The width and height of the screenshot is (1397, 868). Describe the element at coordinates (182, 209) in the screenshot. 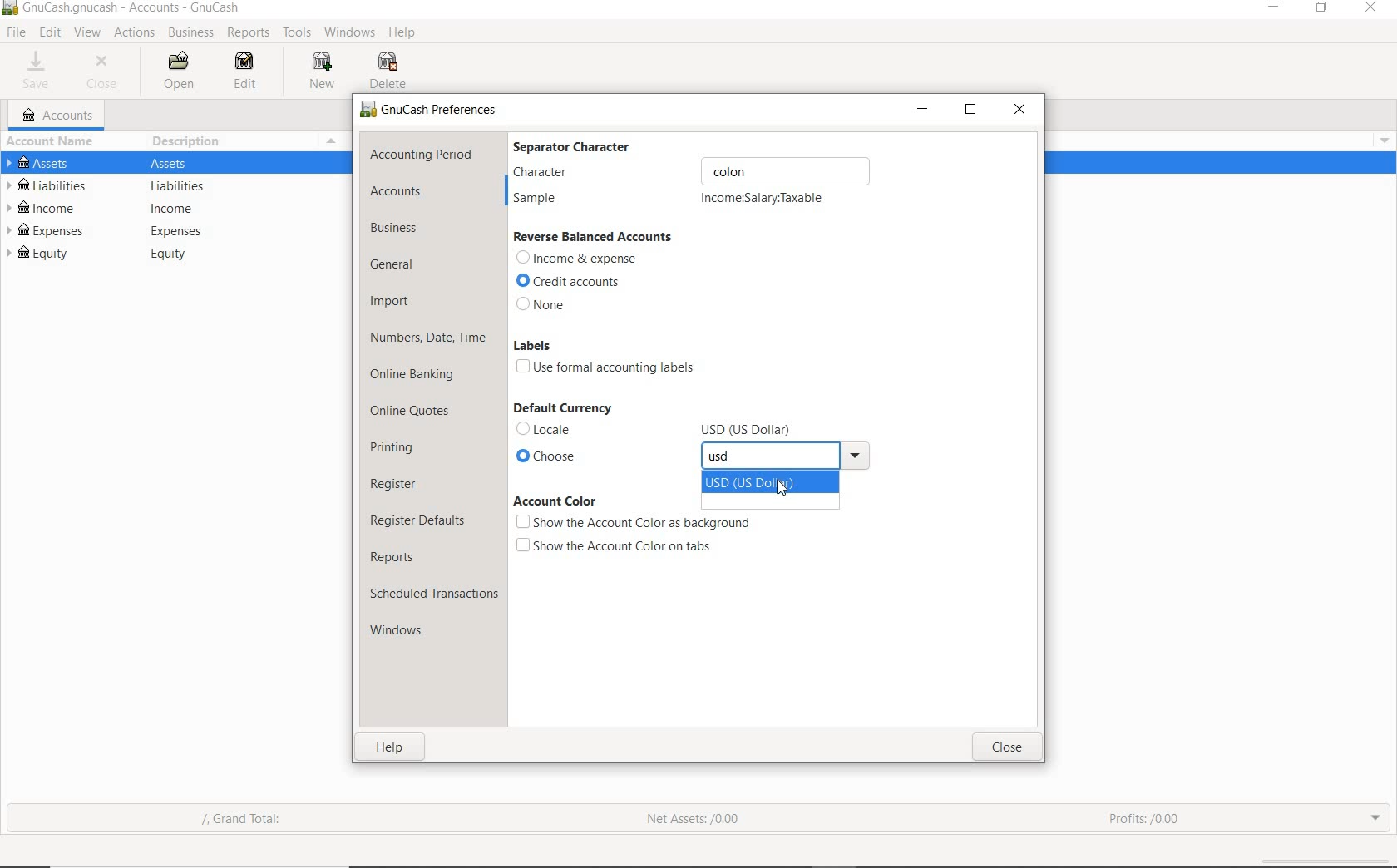

I see `` at that location.